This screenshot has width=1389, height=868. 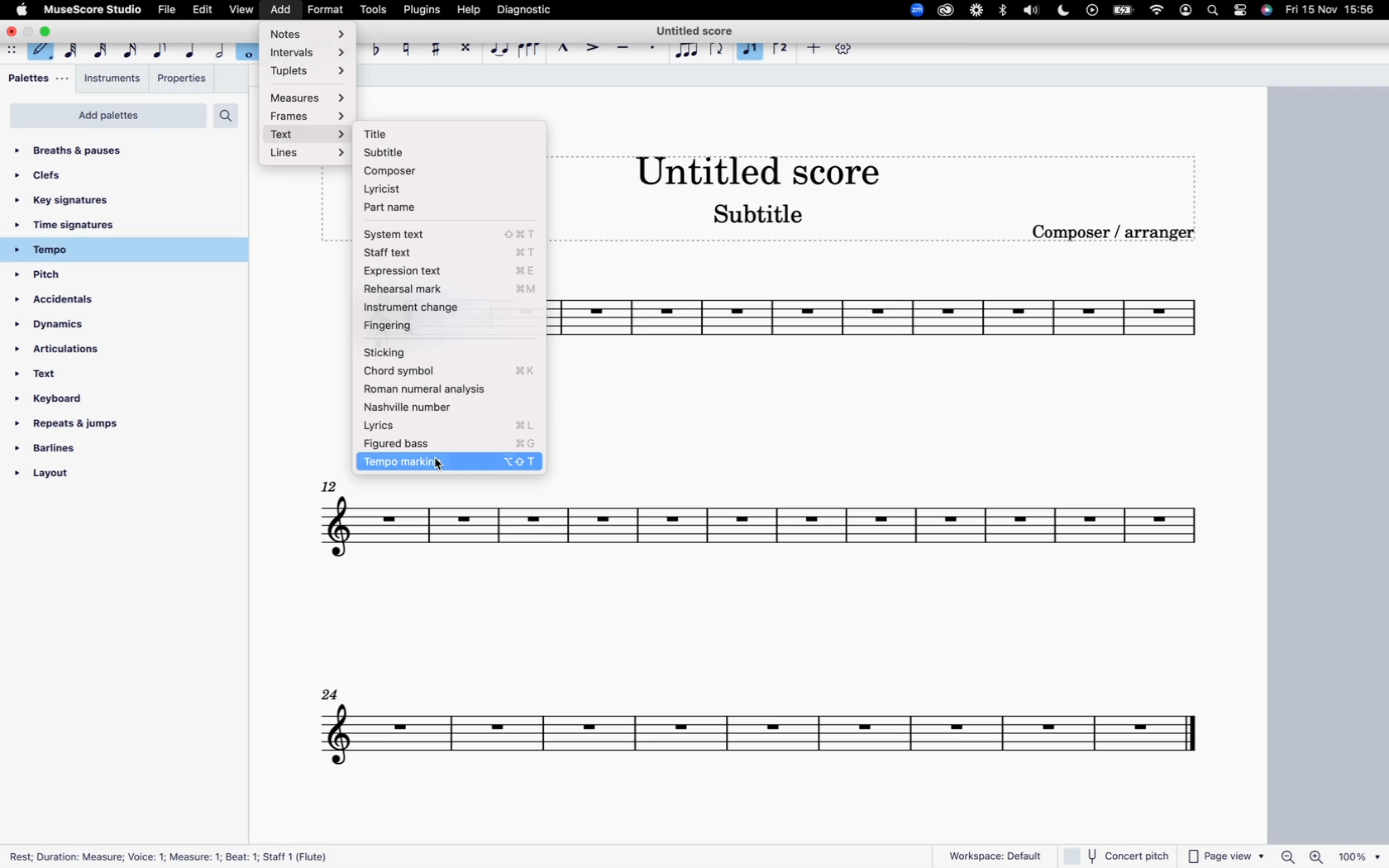 I want to click on layout, so click(x=93, y=477).